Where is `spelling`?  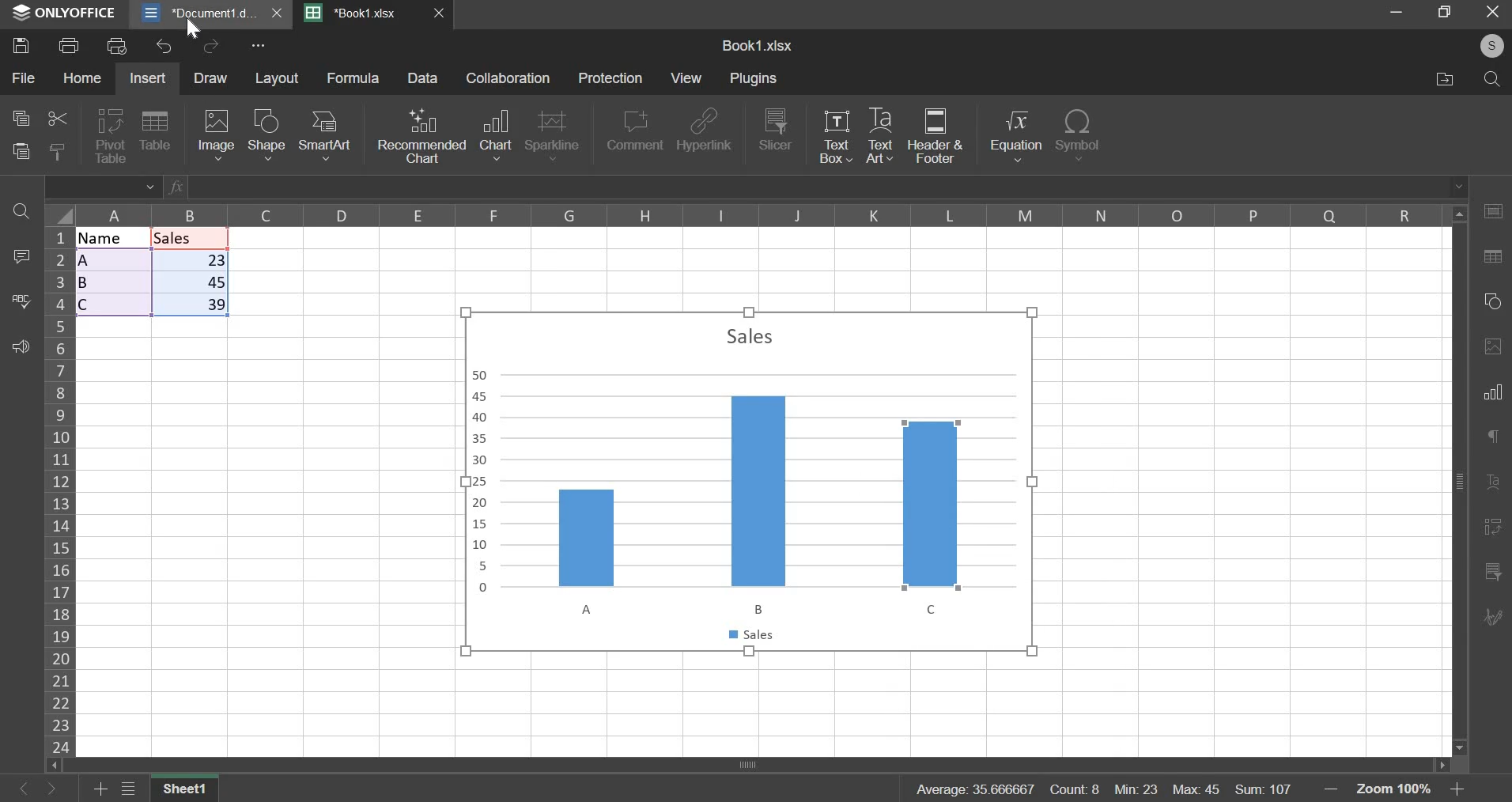
spelling is located at coordinates (20, 301).